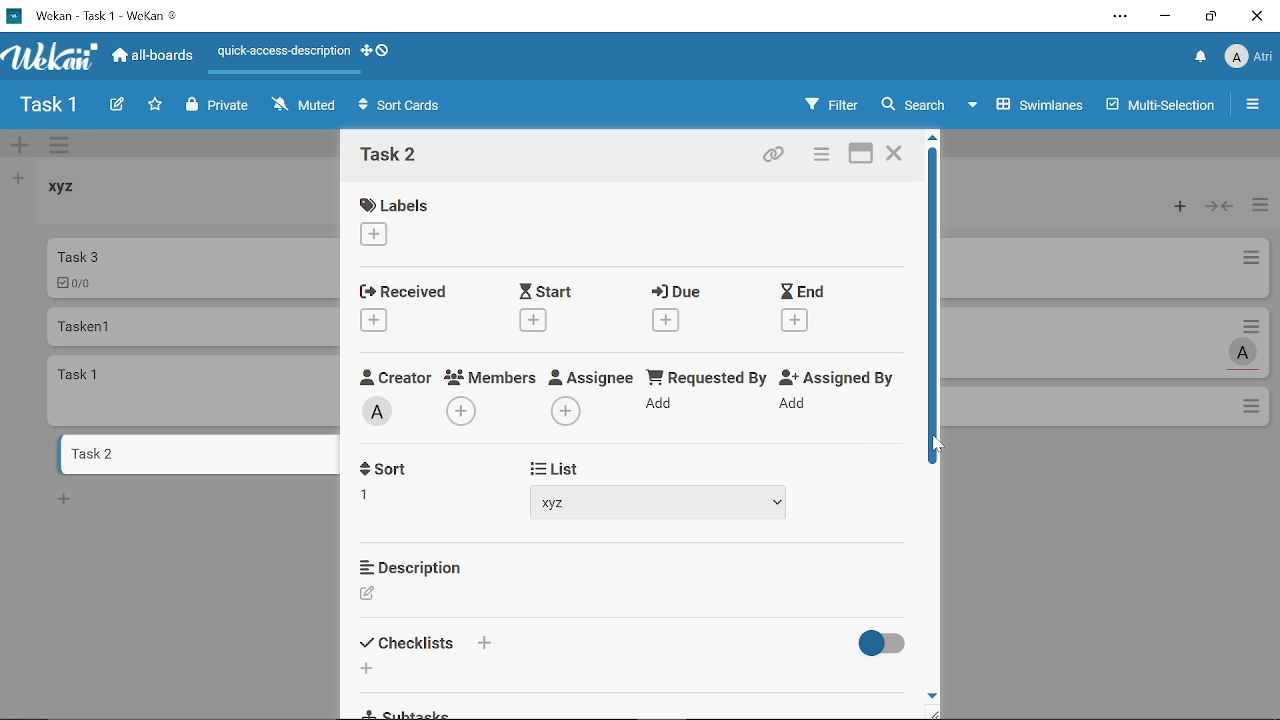 This screenshot has width=1280, height=720. Describe the element at coordinates (48, 105) in the screenshot. I see `Board name` at that location.